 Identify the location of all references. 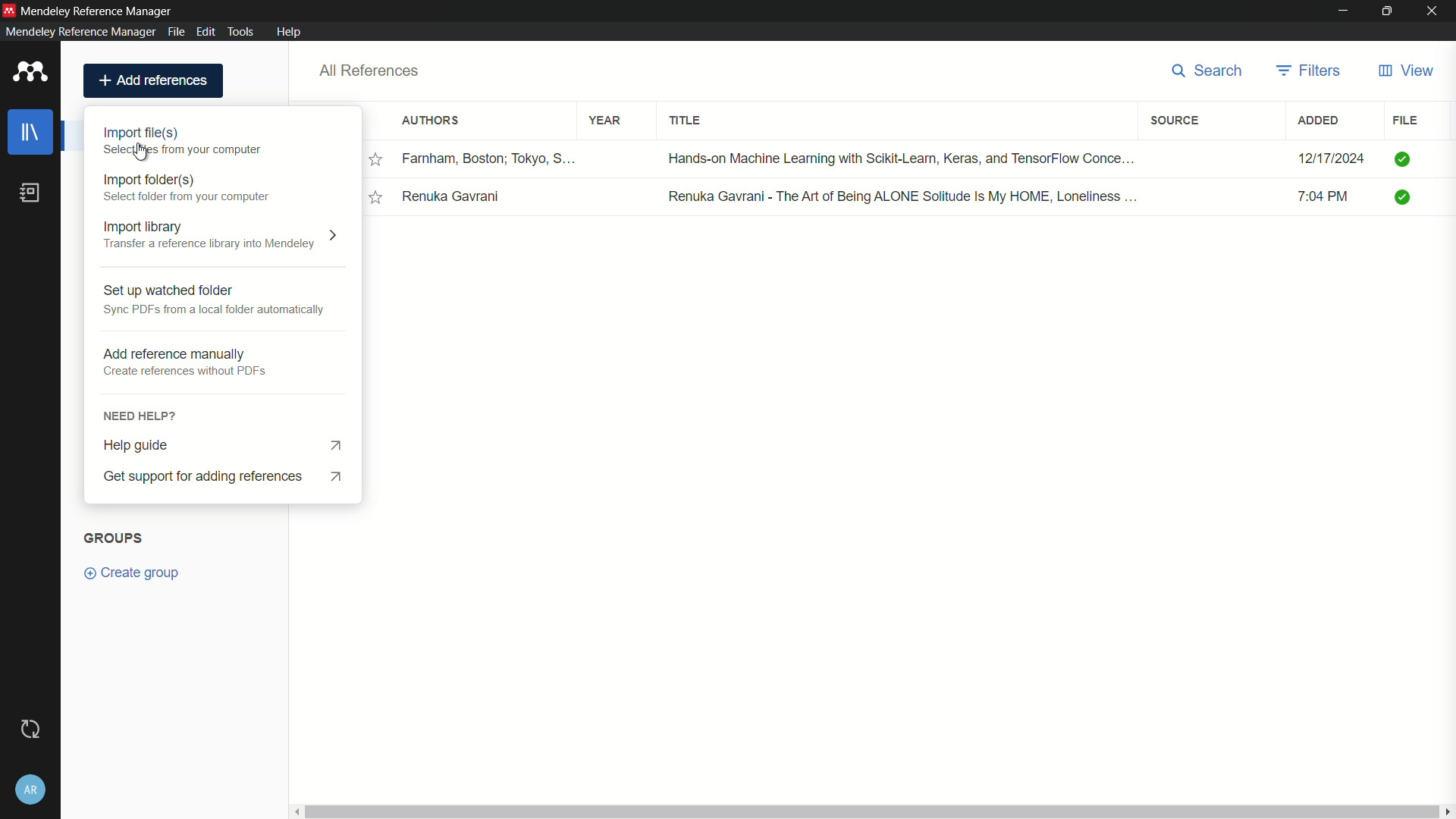
(369, 71).